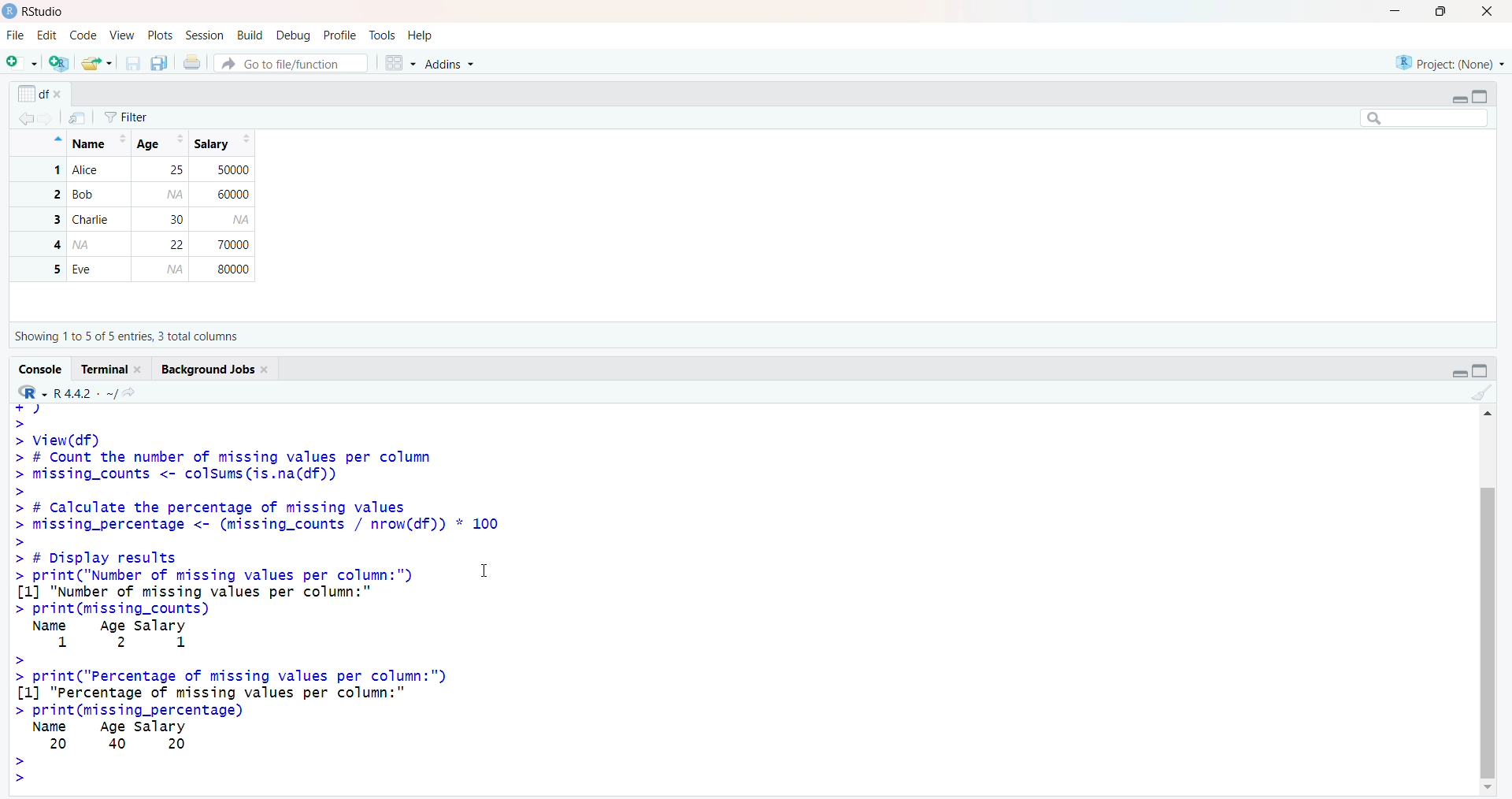 This screenshot has height=799, width=1512. What do you see at coordinates (295, 34) in the screenshot?
I see `Debug` at bounding box center [295, 34].